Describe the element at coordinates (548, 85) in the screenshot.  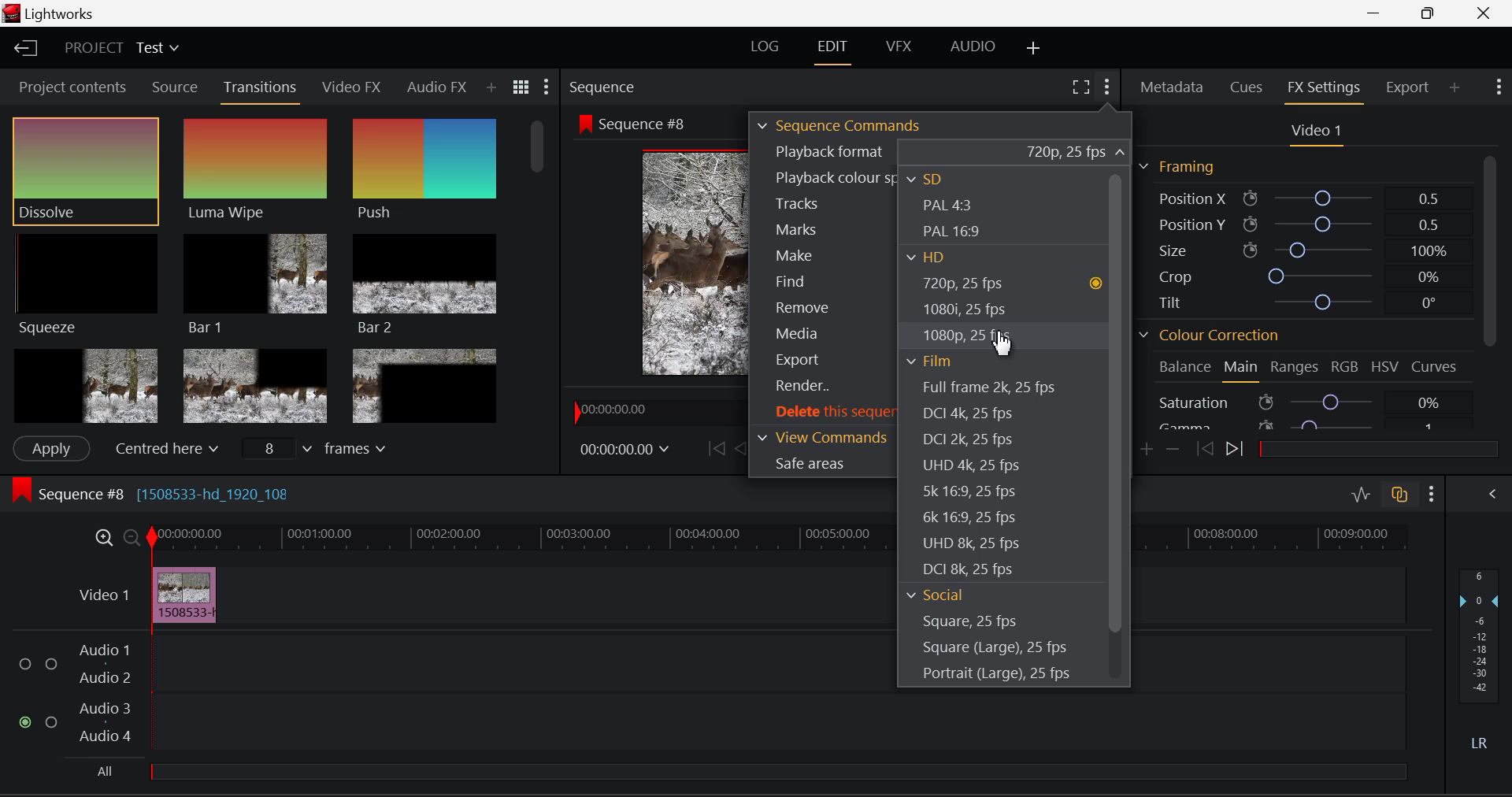
I see `Show Settings` at that location.